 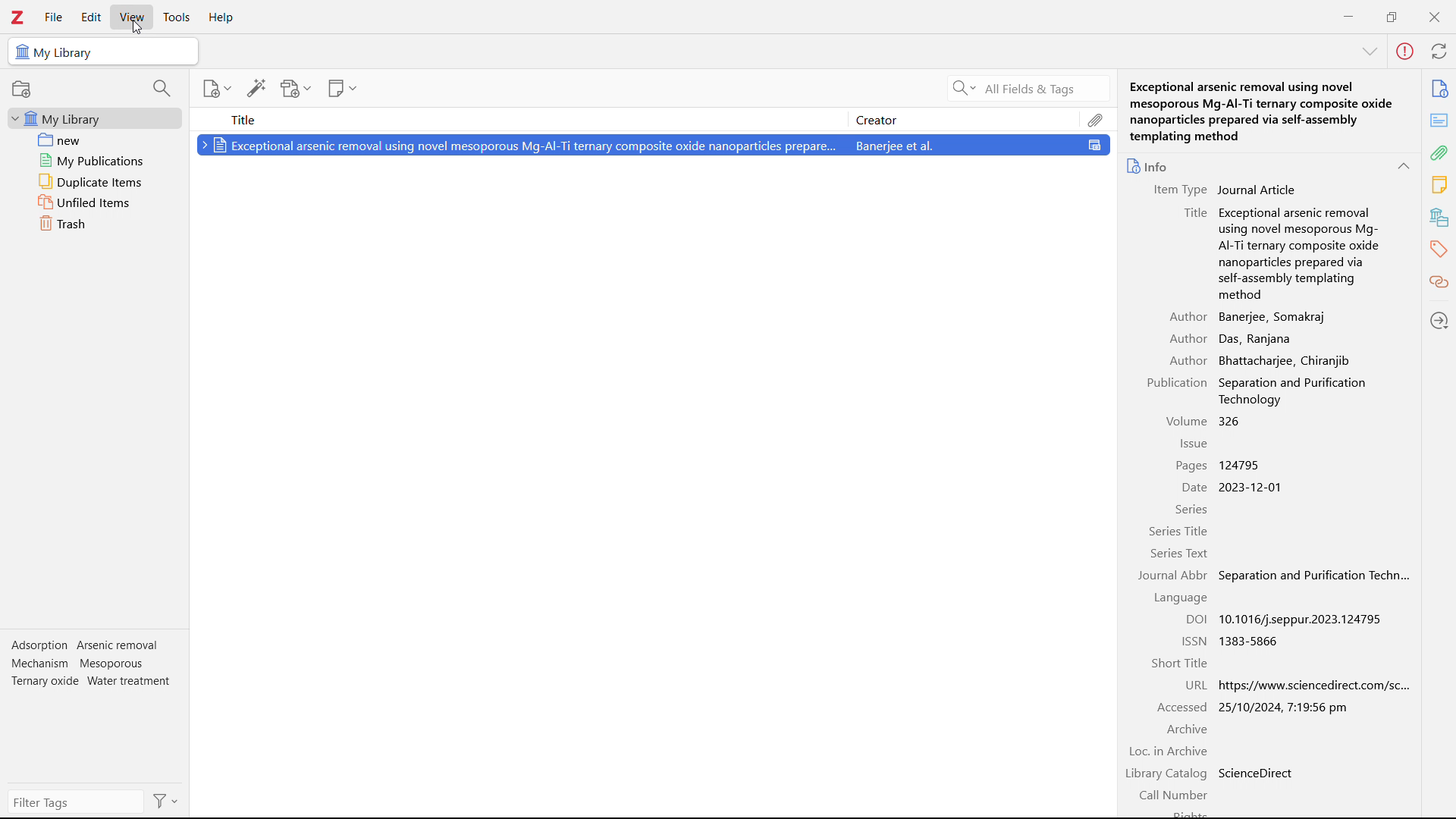 I want to click on tools, so click(x=177, y=17).